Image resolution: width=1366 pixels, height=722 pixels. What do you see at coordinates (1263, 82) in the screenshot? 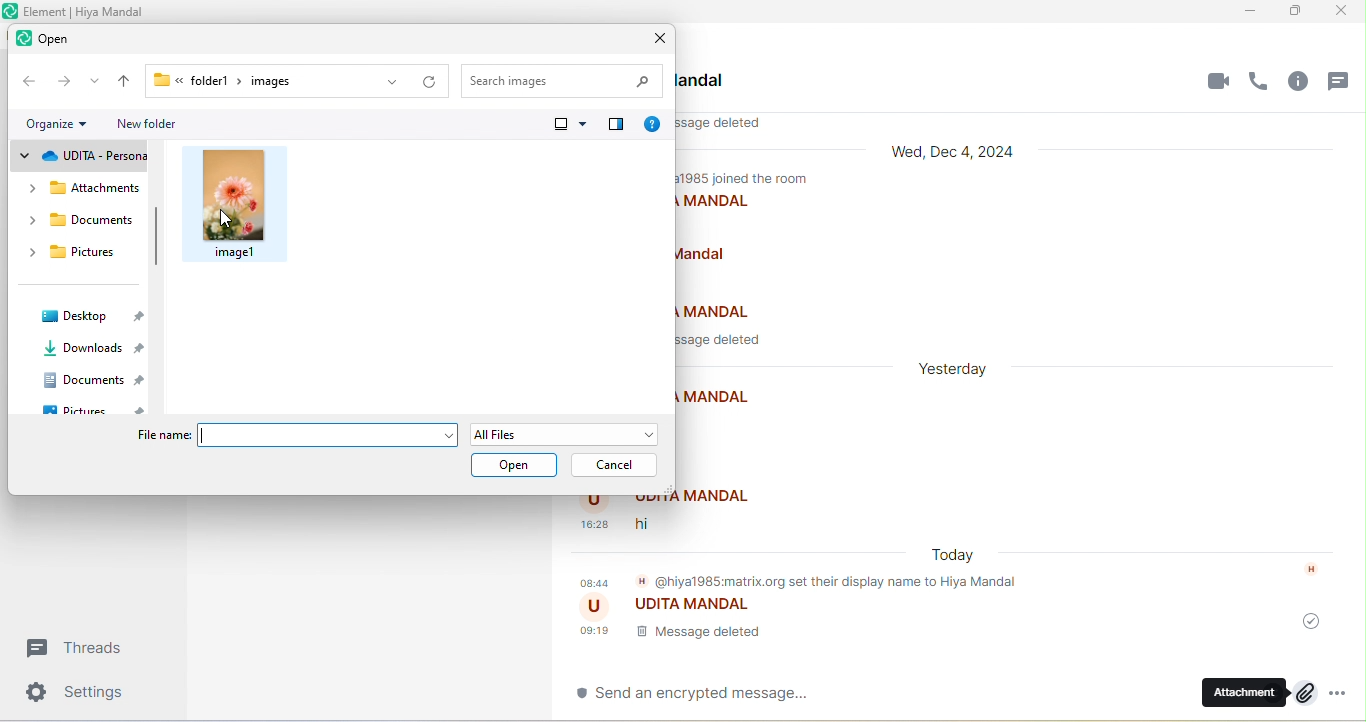
I see `voice call` at bounding box center [1263, 82].